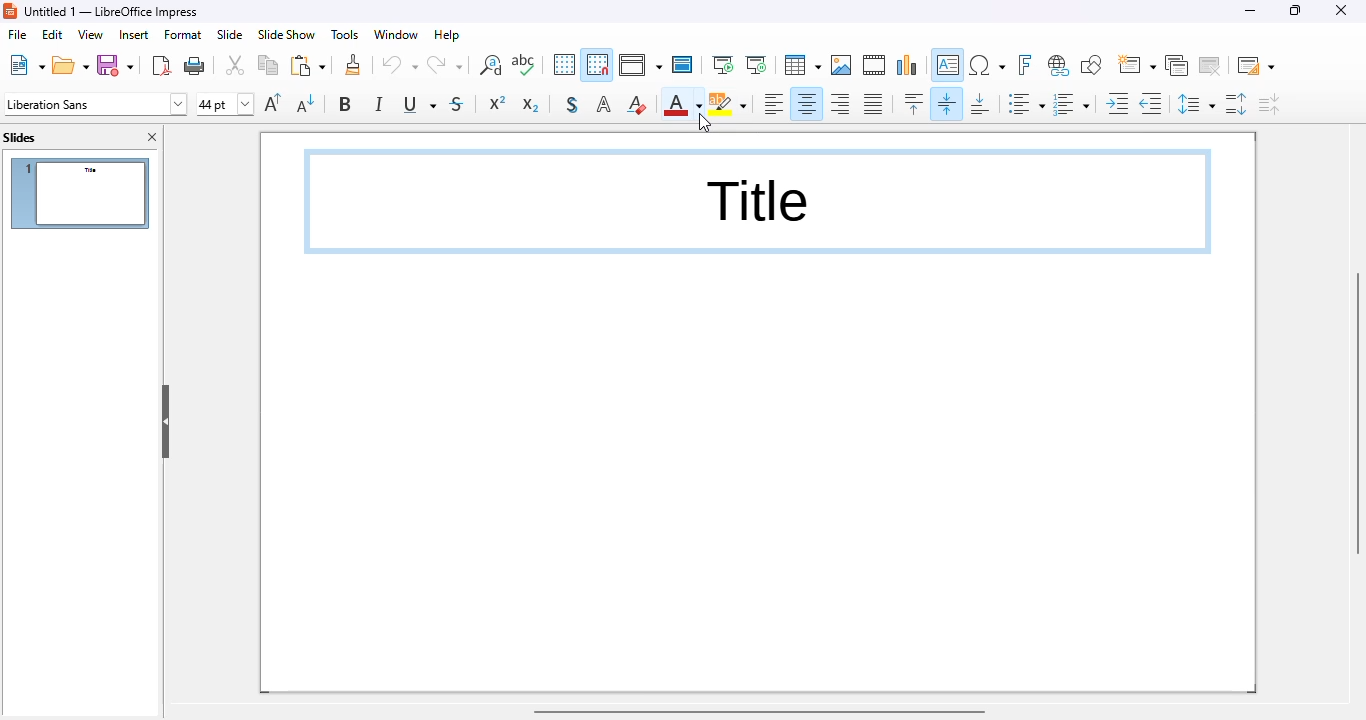 The height and width of the screenshot is (720, 1366). Describe the element at coordinates (154, 137) in the screenshot. I see `close pane` at that location.